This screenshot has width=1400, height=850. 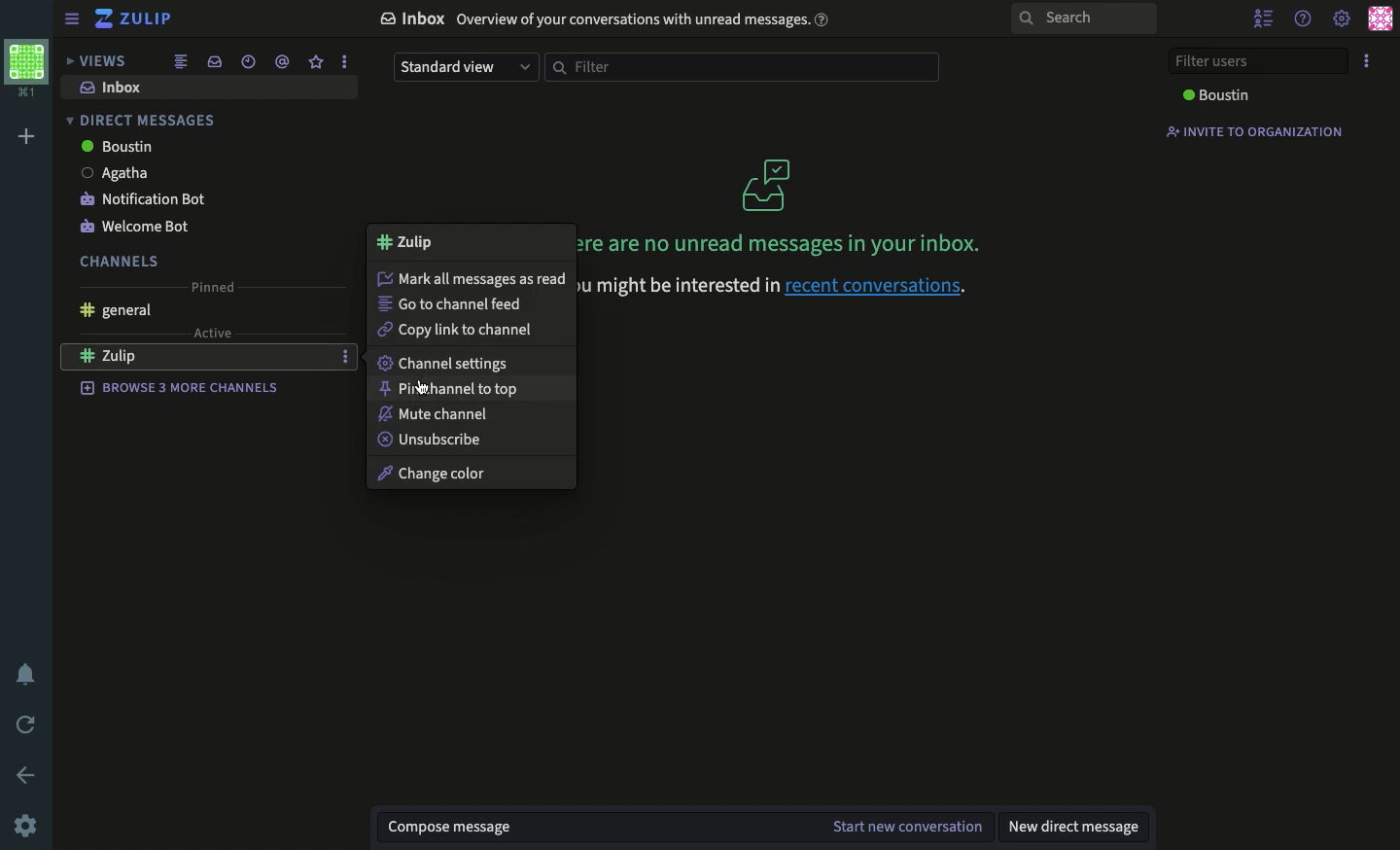 I want to click on Zulip, so click(x=131, y=358).